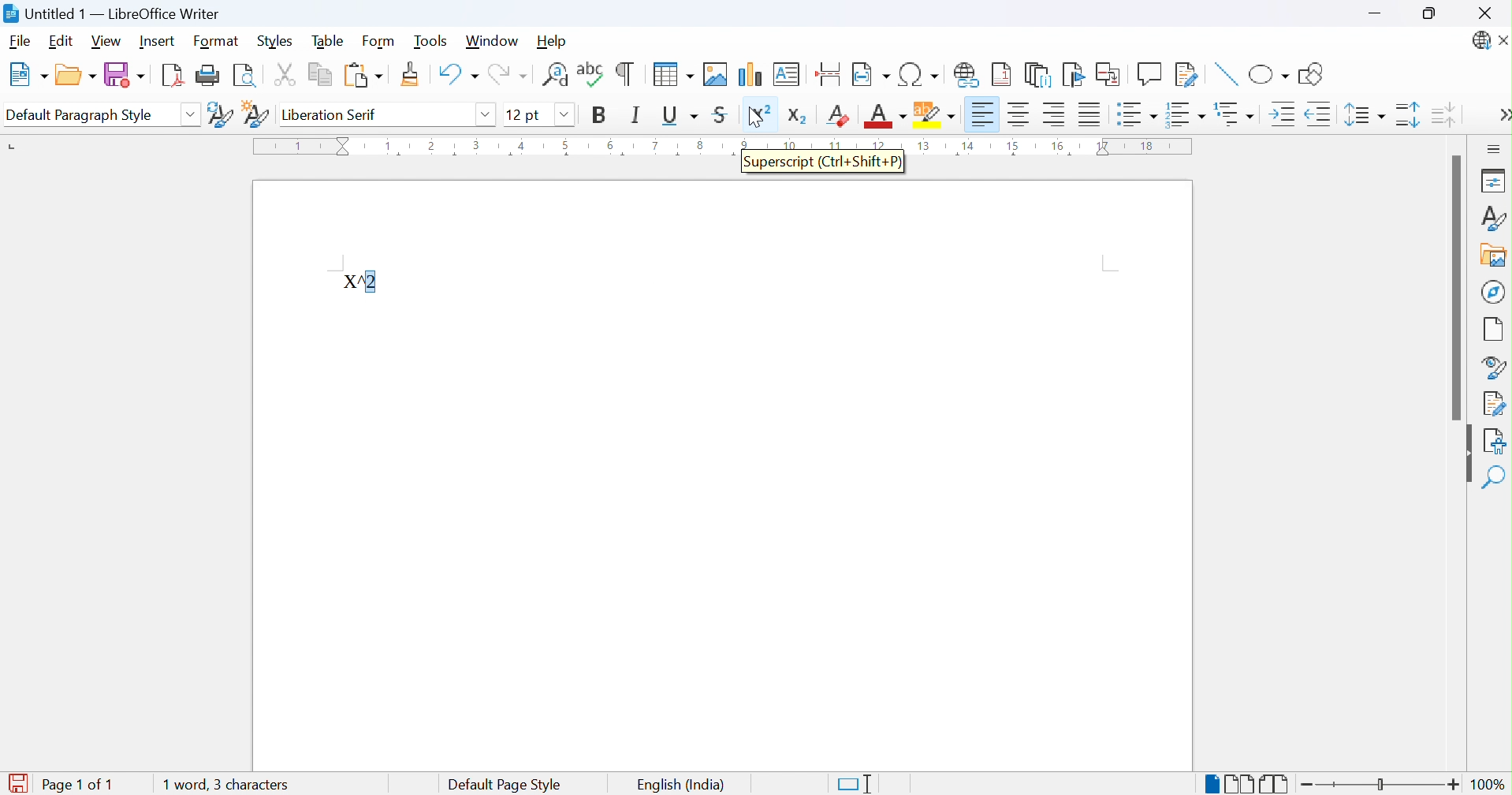 The image size is (1512, 795). I want to click on New style from selection, so click(257, 114).